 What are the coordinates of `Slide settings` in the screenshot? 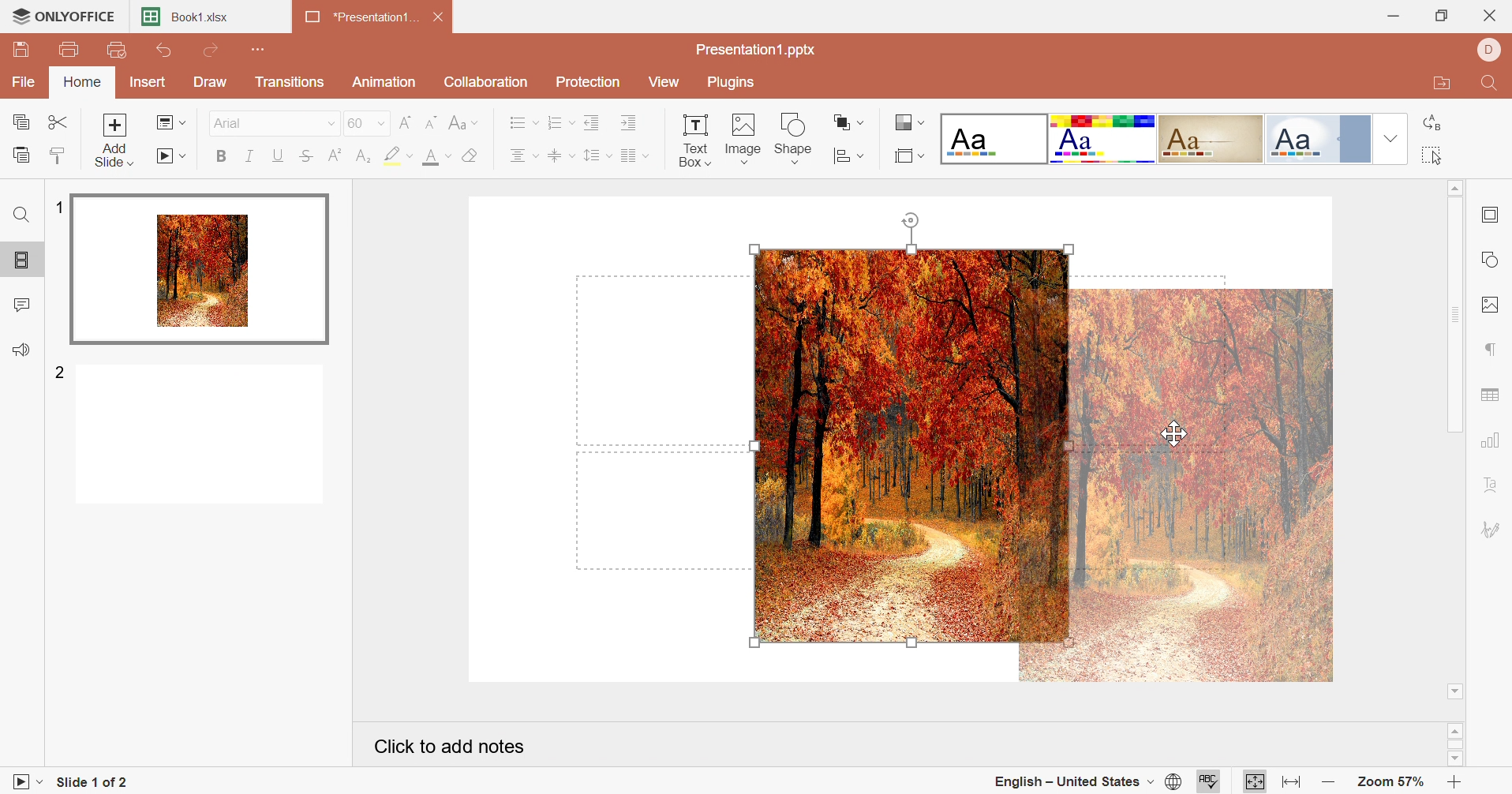 It's located at (1489, 214).